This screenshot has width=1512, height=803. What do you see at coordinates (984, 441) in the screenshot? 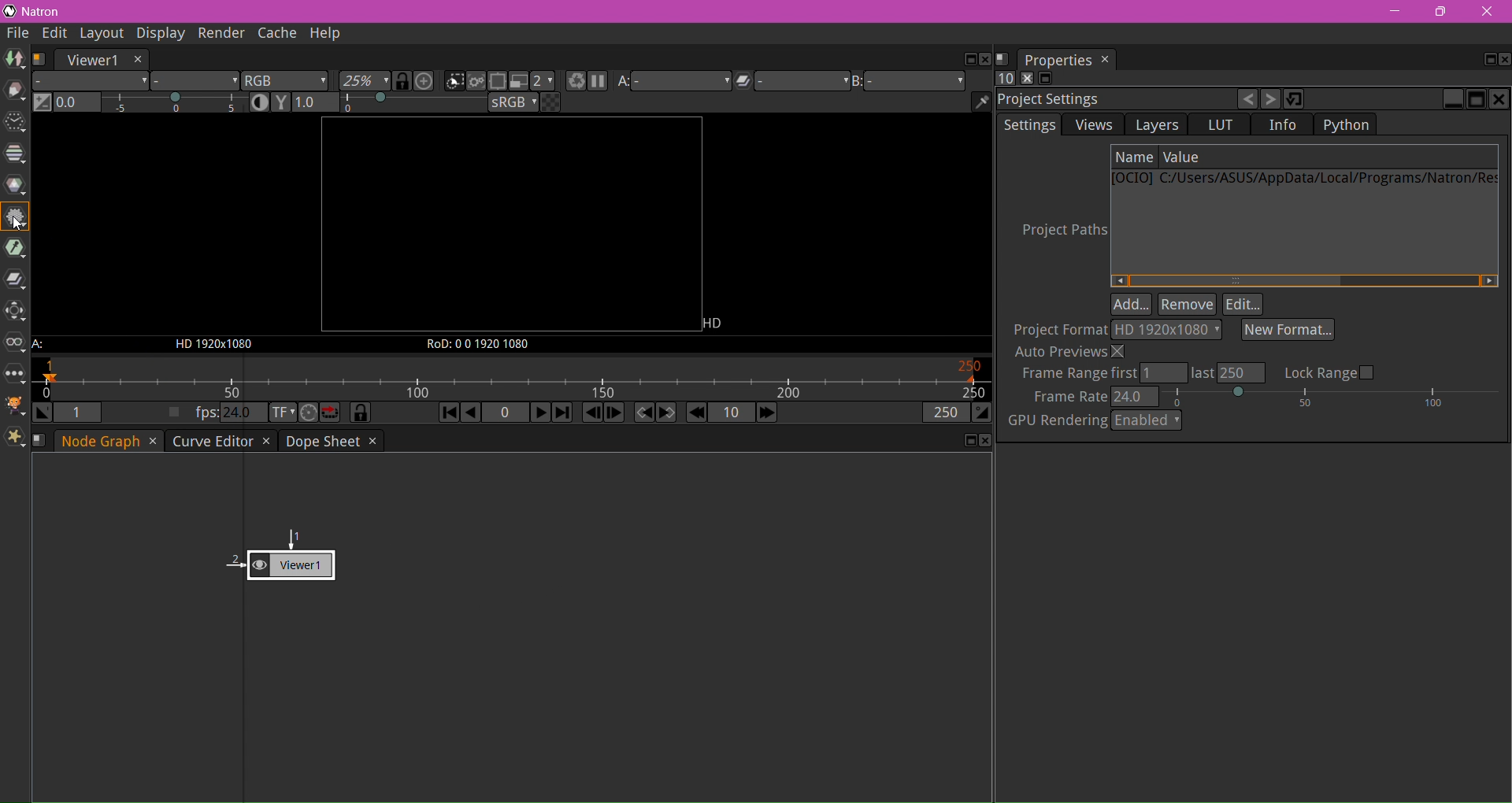
I see `Close pane` at bounding box center [984, 441].